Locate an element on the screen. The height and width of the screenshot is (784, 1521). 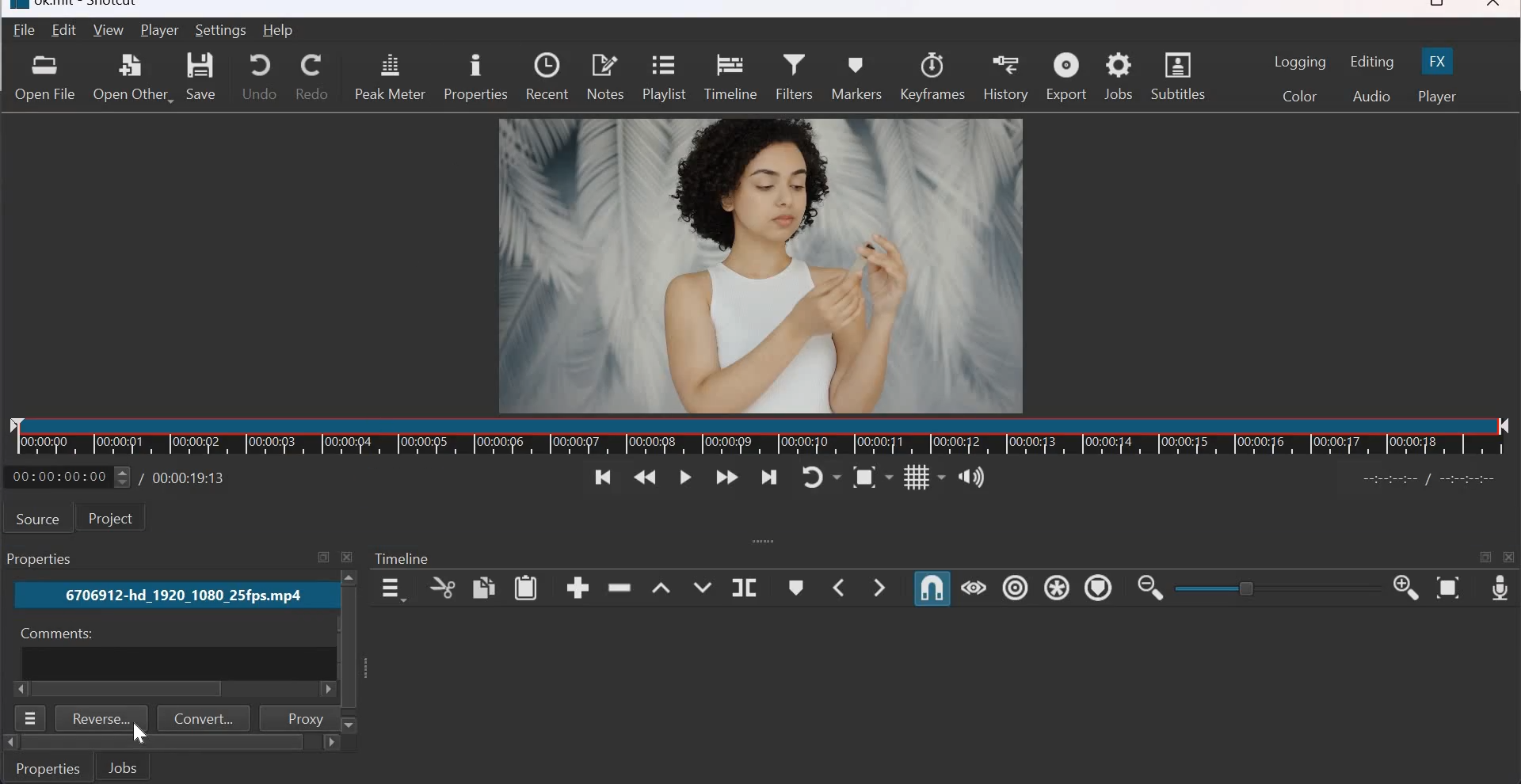
Toggle zoom is located at coordinates (872, 476).